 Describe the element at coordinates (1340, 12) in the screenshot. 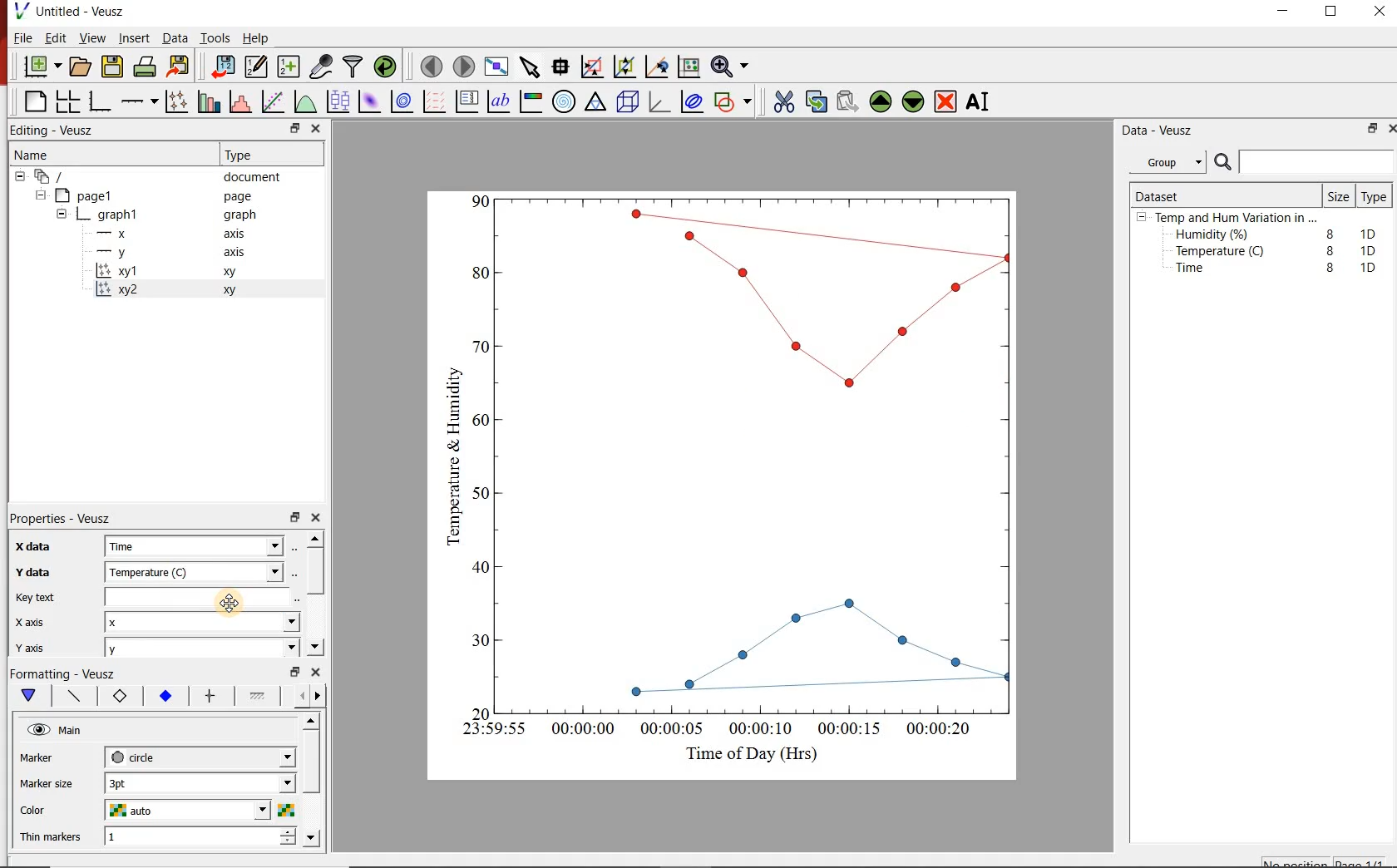

I see `maximize` at that location.